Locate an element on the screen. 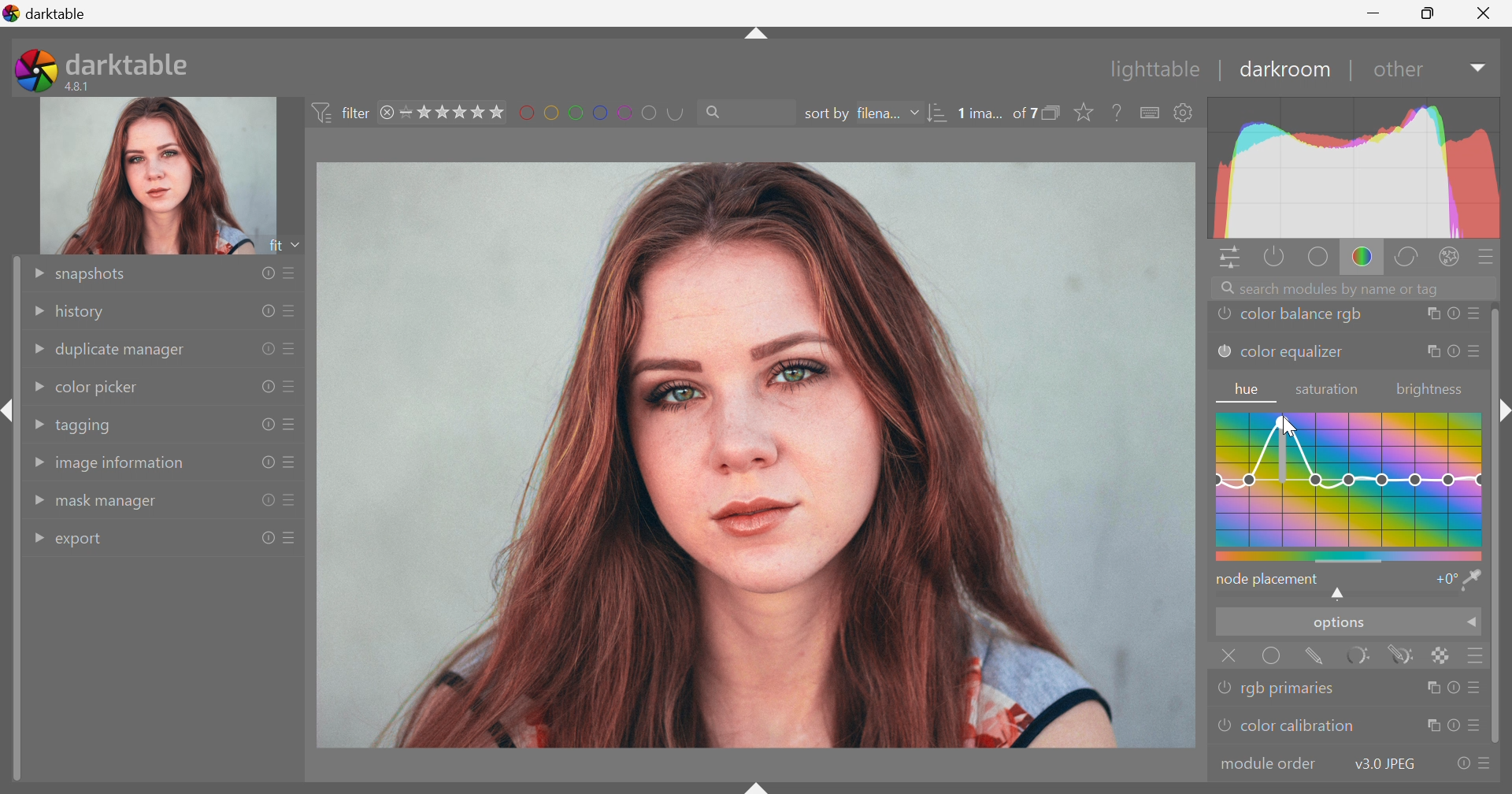 The height and width of the screenshot is (794, 1512). shift+ctrl+l is located at coordinates (9, 410).